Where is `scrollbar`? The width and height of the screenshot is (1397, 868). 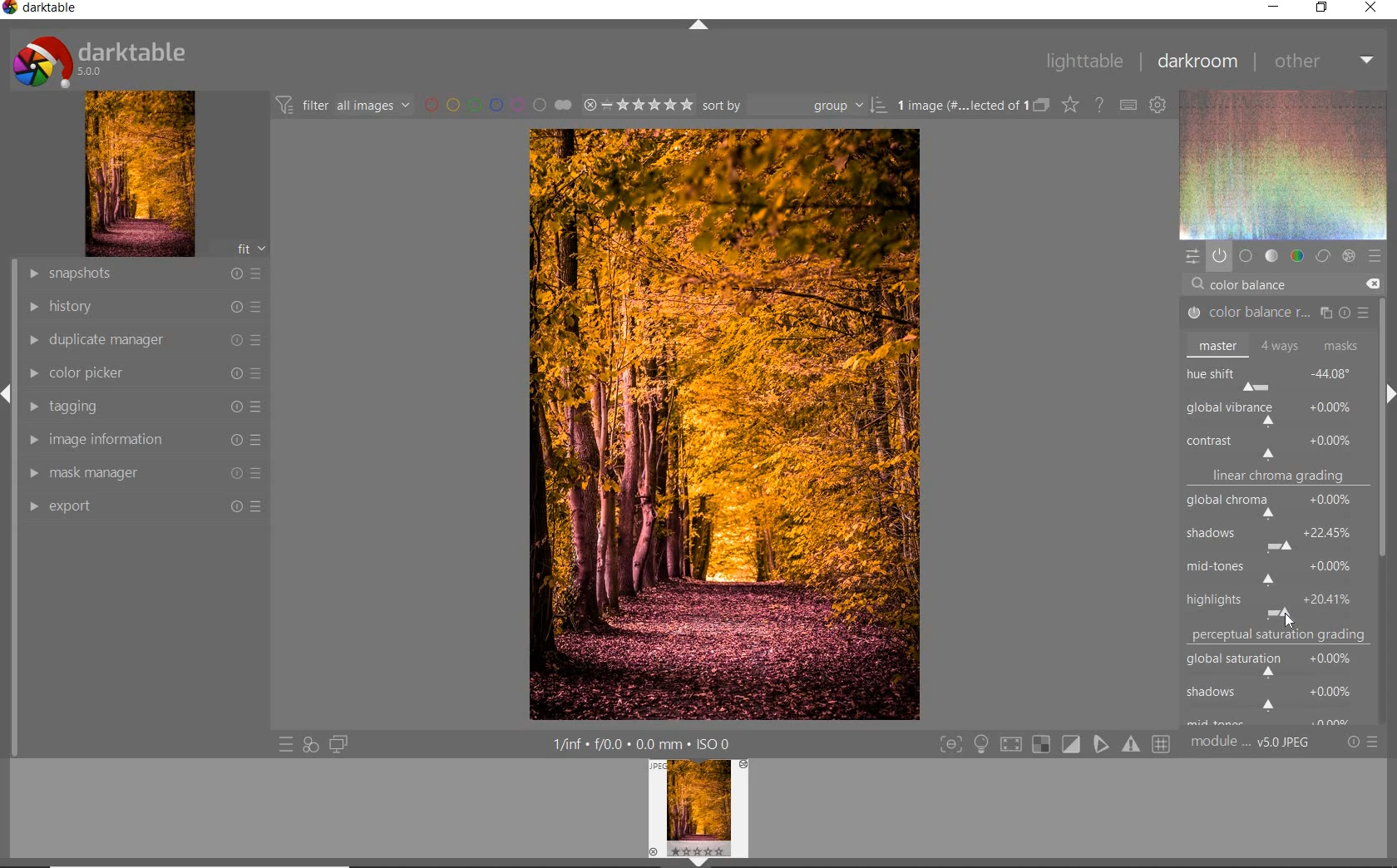 scrollbar is located at coordinates (1384, 330).